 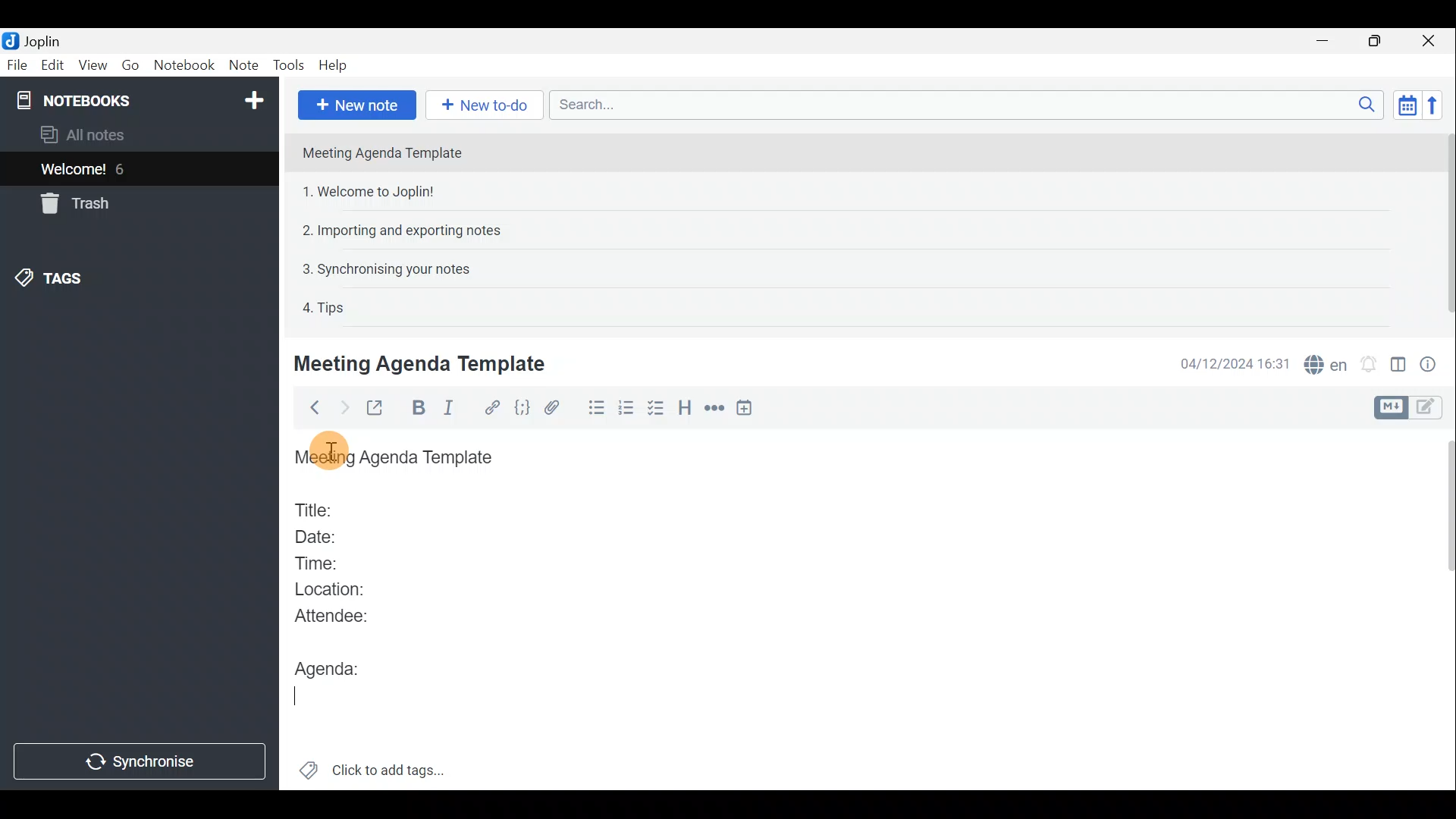 What do you see at coordinates (124, 169) in the screenshot?
I see `6` at bounding box center [124, 169].